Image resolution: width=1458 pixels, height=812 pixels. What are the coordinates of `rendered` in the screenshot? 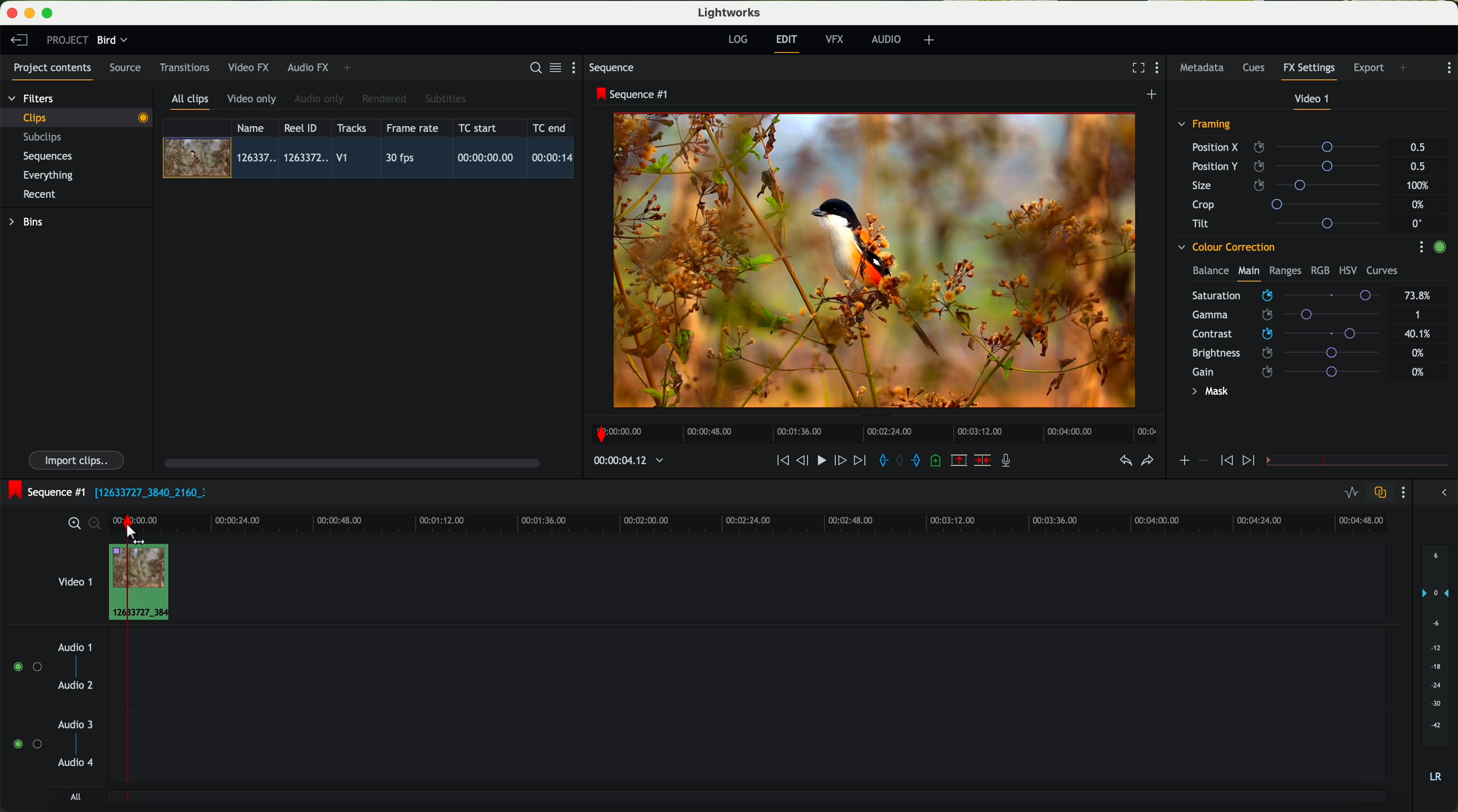 It's located at (385, 100).